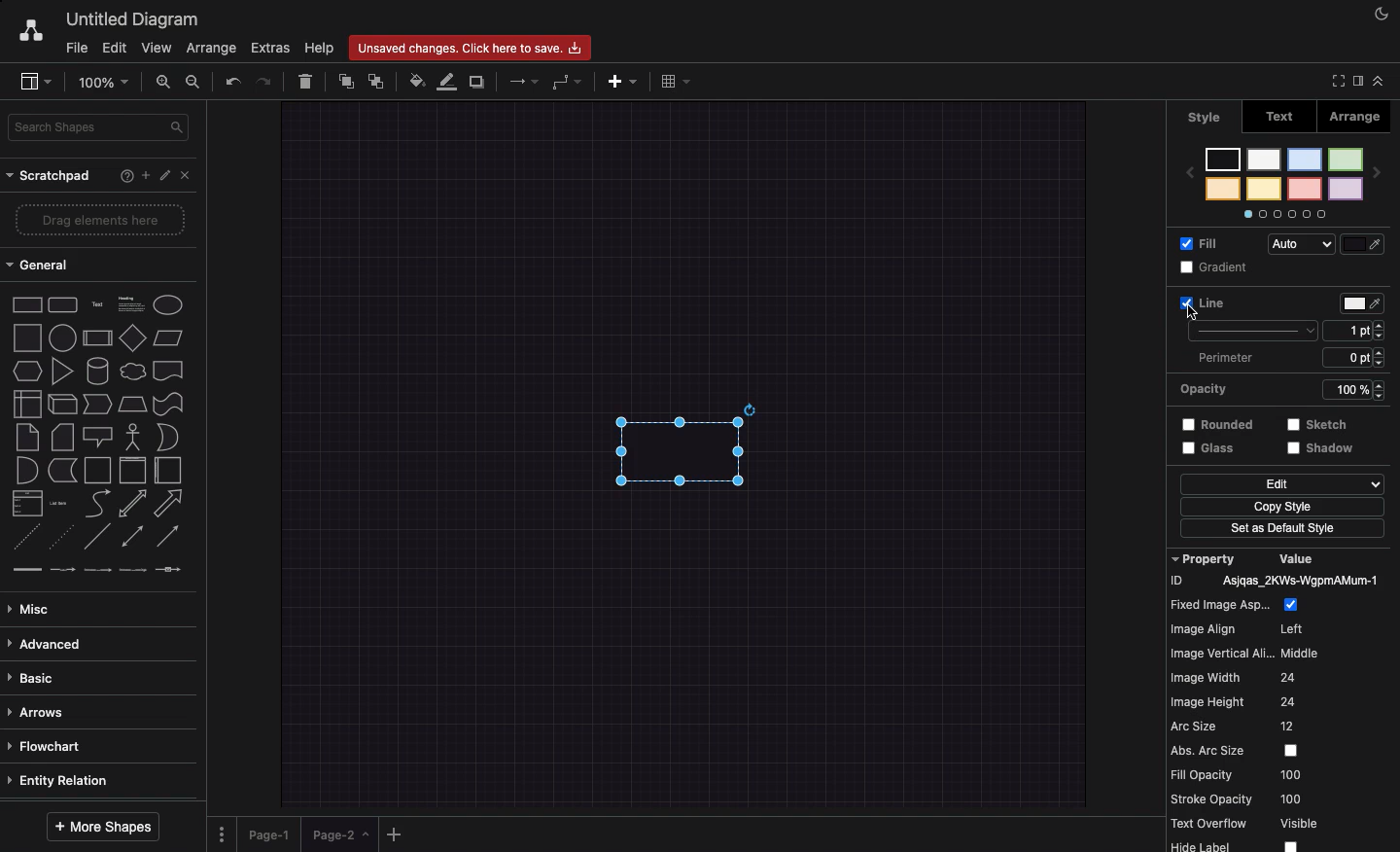 The height and width of the screenshot is (852, 1400). Describe the element at coordinates (1359, 345) in the screenshot. I see `Size` at that location.